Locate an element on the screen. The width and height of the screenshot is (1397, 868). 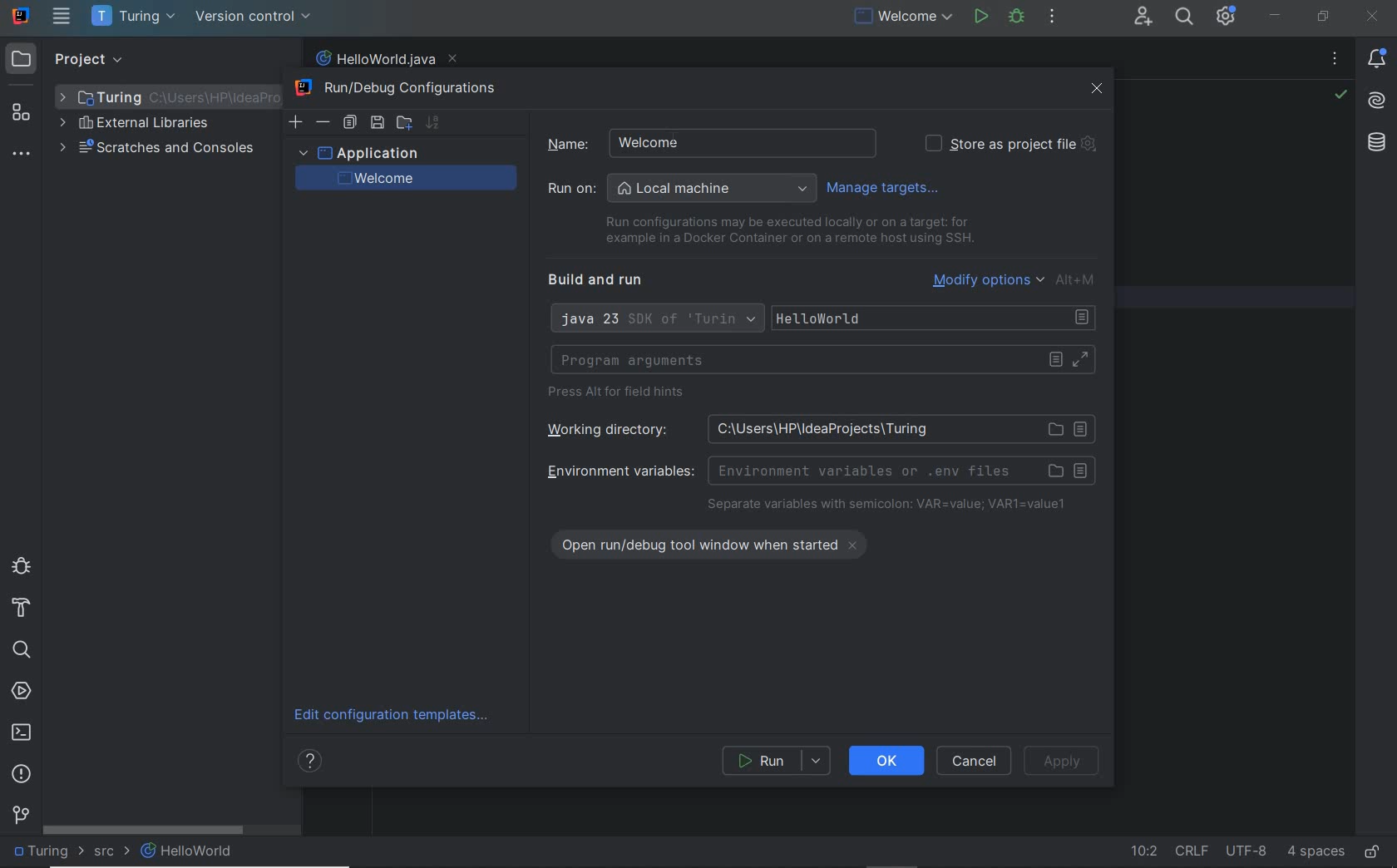
go to line is located at coordinates (1143, 853).